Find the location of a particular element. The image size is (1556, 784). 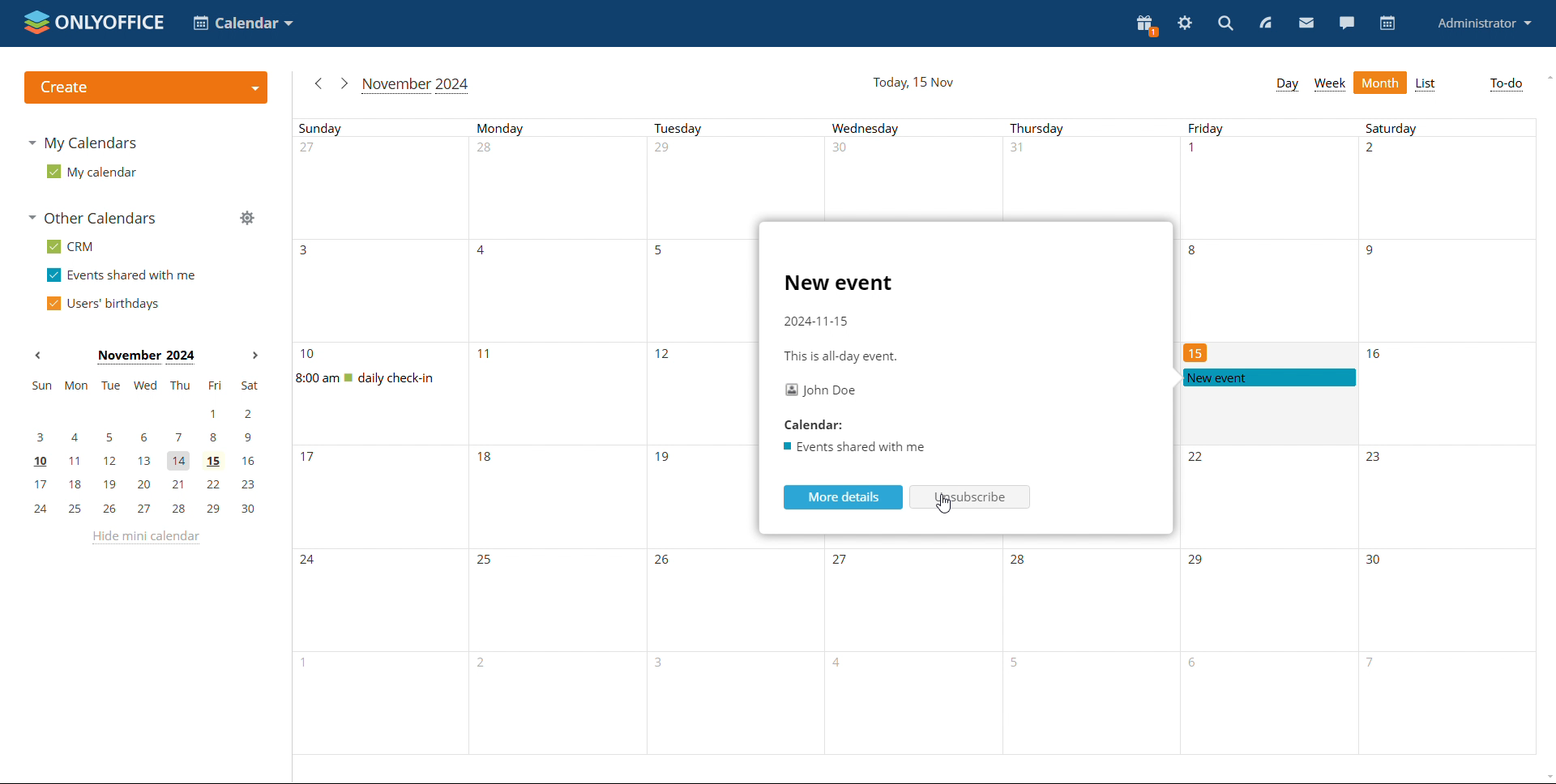

individual day is located at coordinates (1267, 128).